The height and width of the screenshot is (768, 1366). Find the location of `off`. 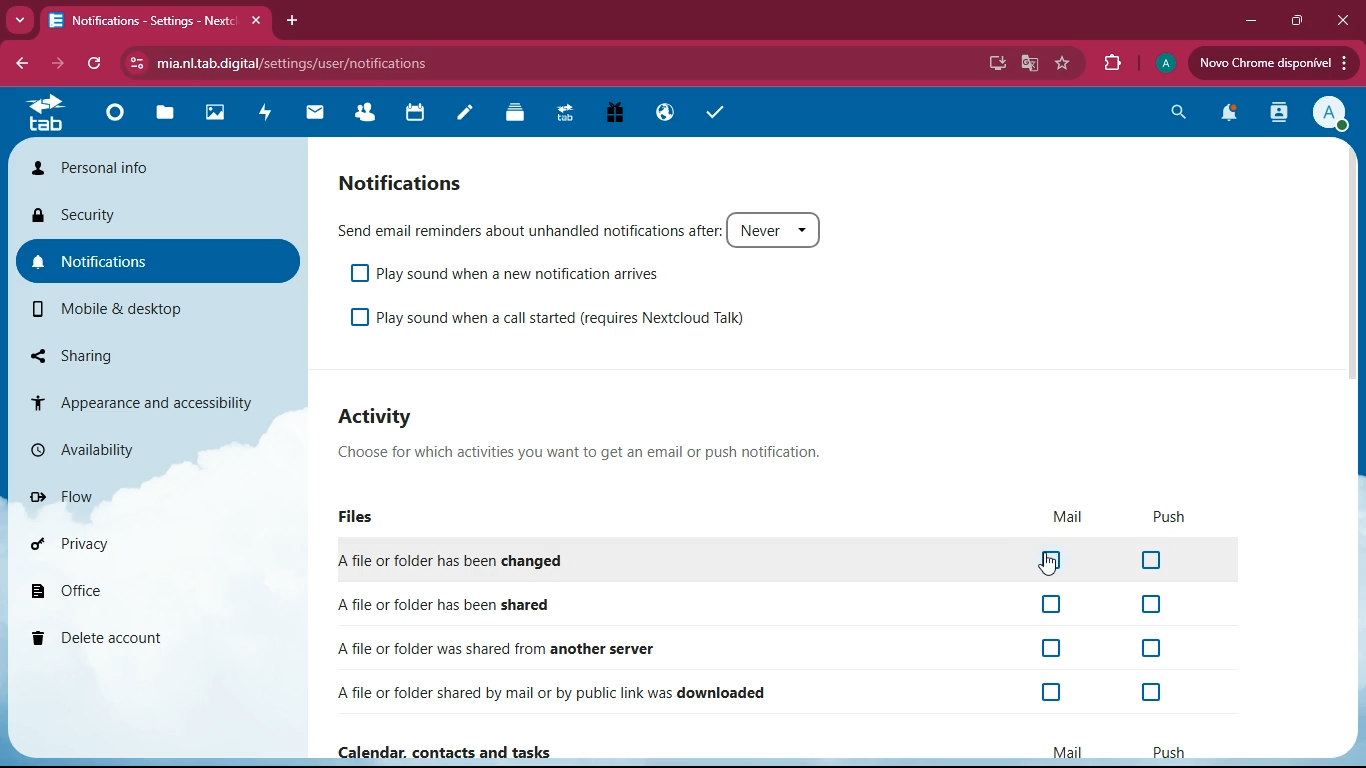

off is located at coordinates (358, 272).